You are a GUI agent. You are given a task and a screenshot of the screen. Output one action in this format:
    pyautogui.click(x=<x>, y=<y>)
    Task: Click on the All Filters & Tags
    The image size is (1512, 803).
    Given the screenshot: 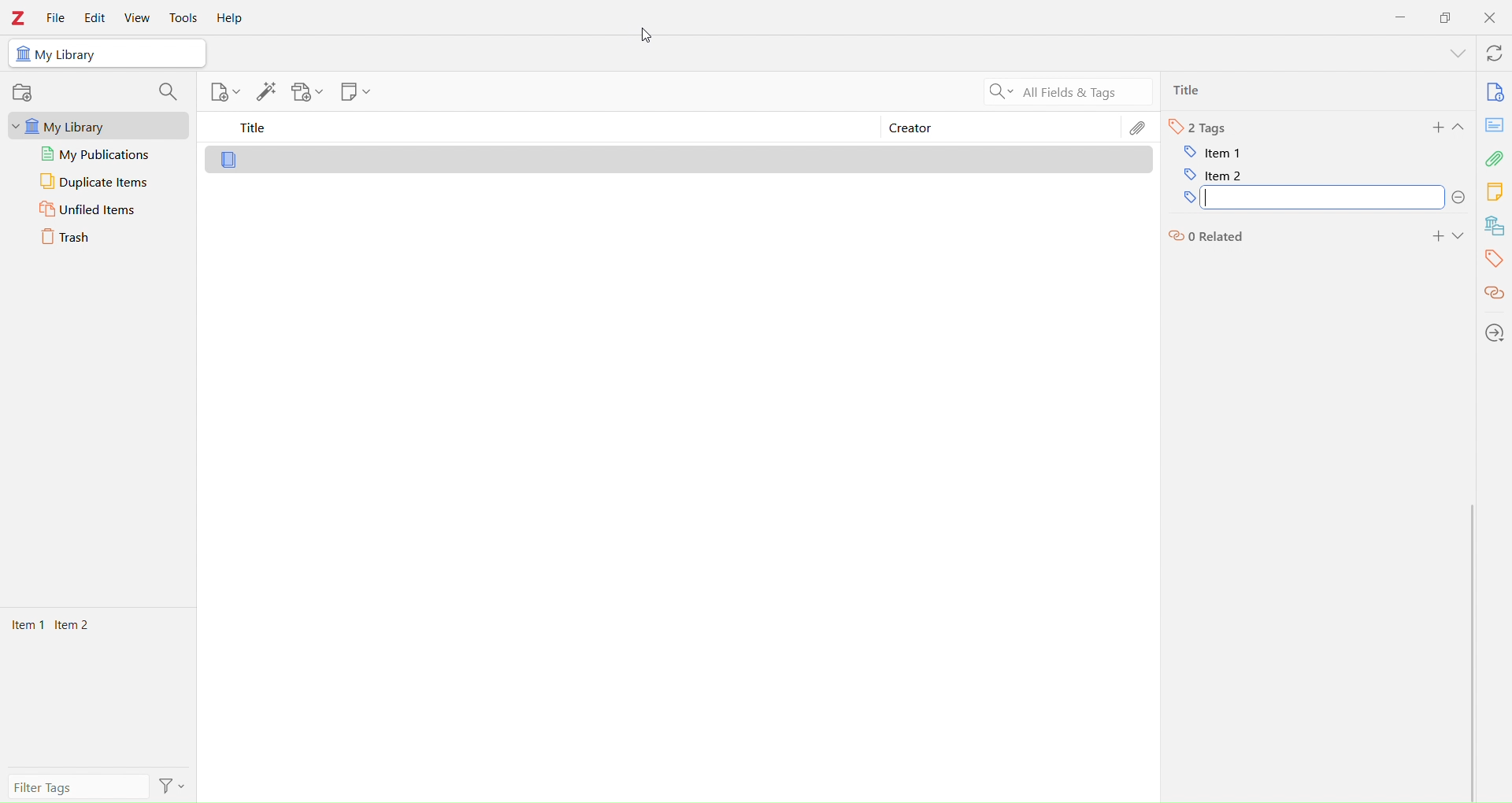 What is the action you would take?
    pyautogui.click(x=1065, y=94)
    